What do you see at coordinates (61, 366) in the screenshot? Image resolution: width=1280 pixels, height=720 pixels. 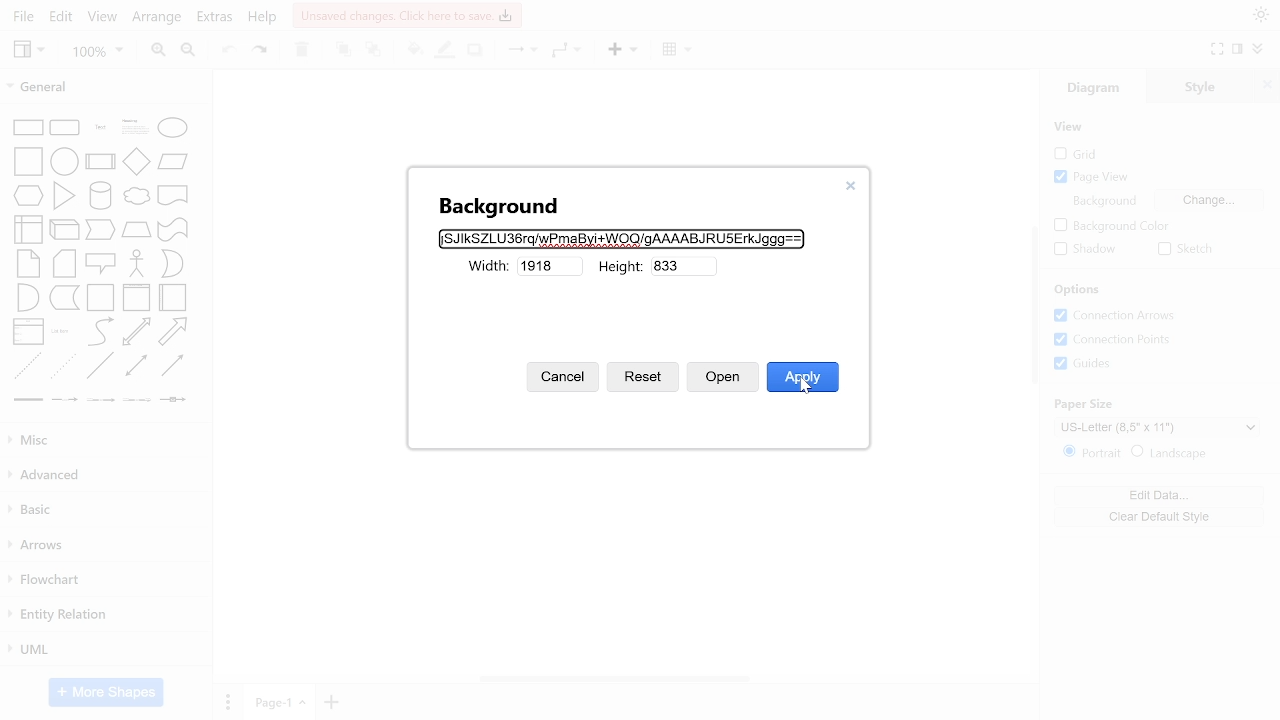 I see `general shapes` at bounding box center [61, 366].